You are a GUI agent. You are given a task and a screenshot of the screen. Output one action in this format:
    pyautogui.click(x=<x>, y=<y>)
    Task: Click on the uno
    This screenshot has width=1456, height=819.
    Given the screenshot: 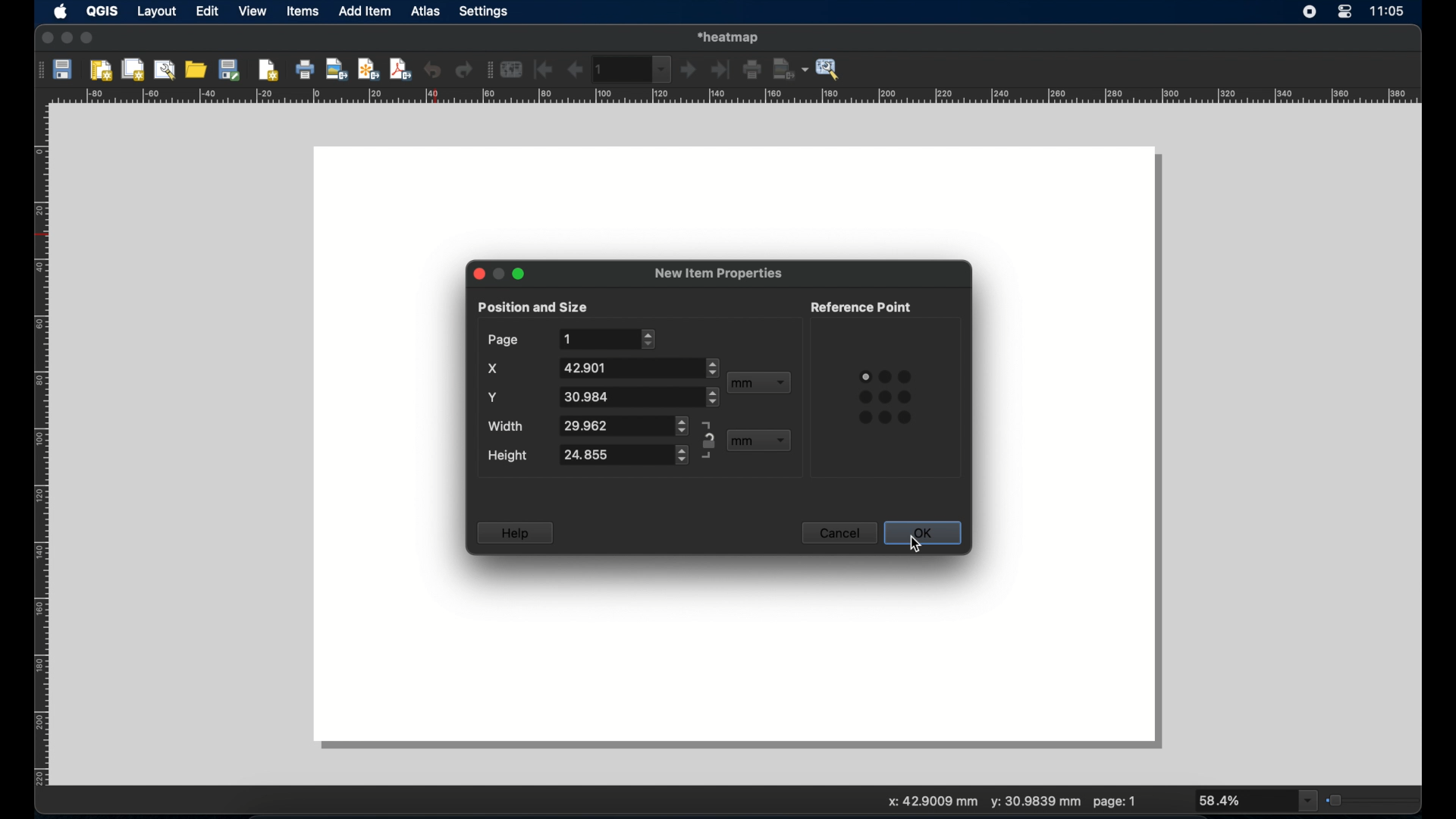 What is the action you would take?
    pyautogui.click(x=433, y=69)
    